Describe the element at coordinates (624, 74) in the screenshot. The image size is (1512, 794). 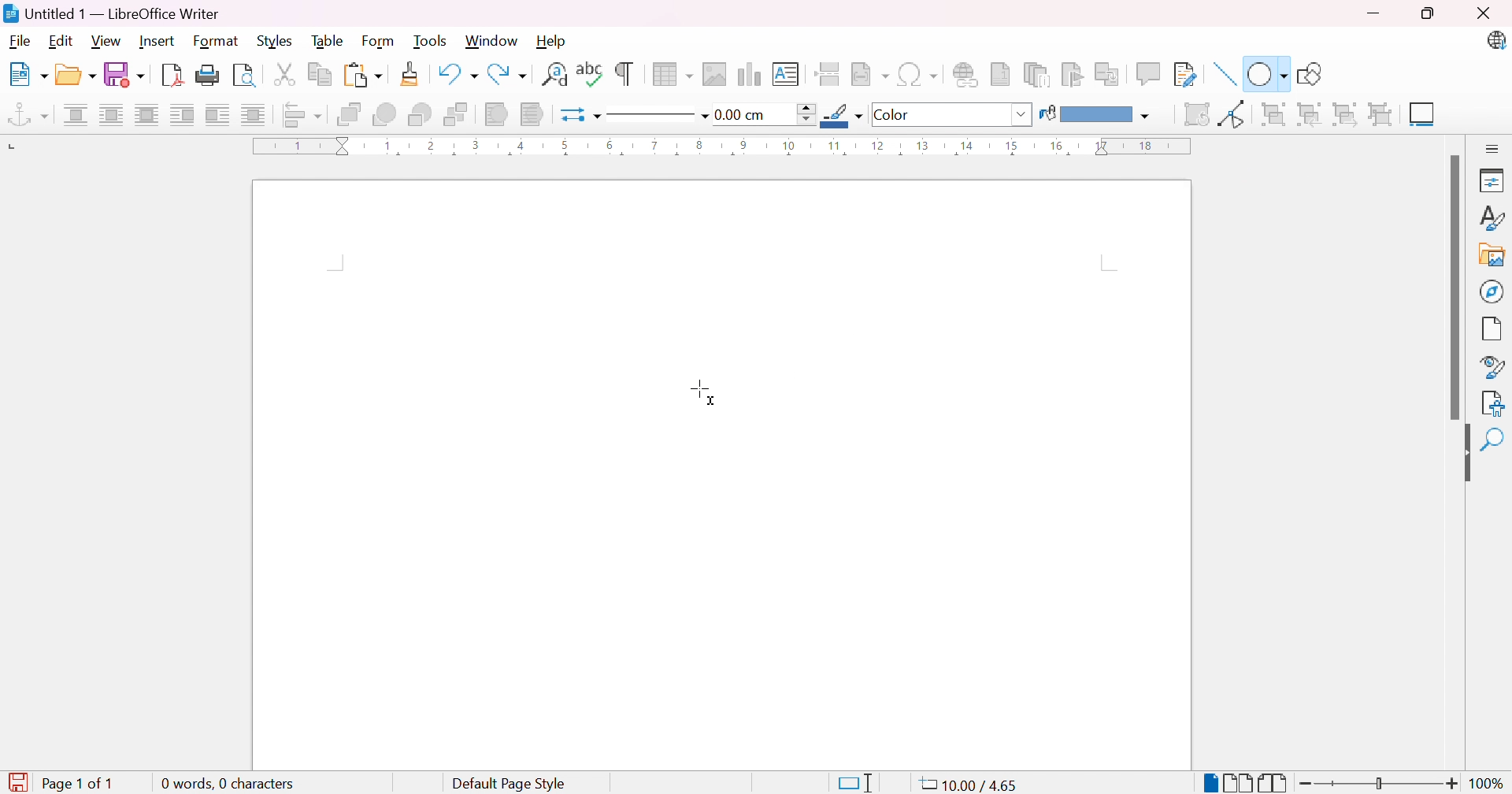
I see `Toggle formatting marks` at that location.